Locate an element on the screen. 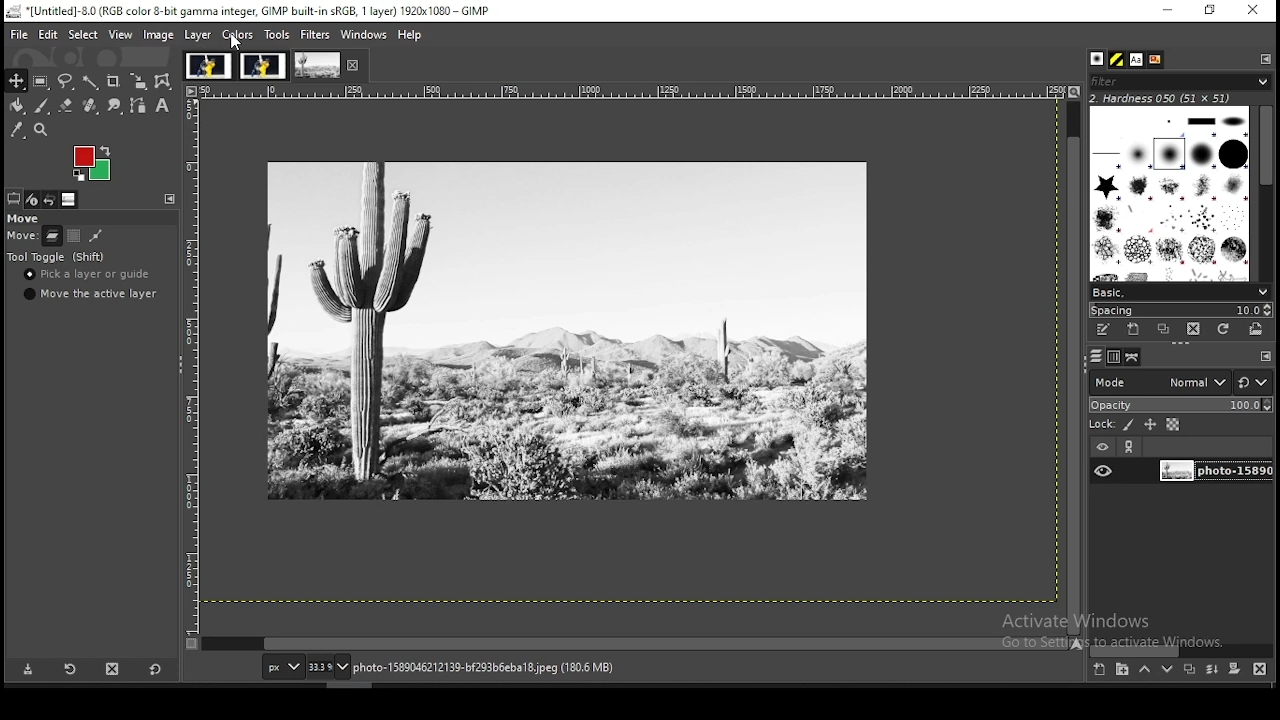 The image size is (1280, 720). view is located at coordinates (122, 35).